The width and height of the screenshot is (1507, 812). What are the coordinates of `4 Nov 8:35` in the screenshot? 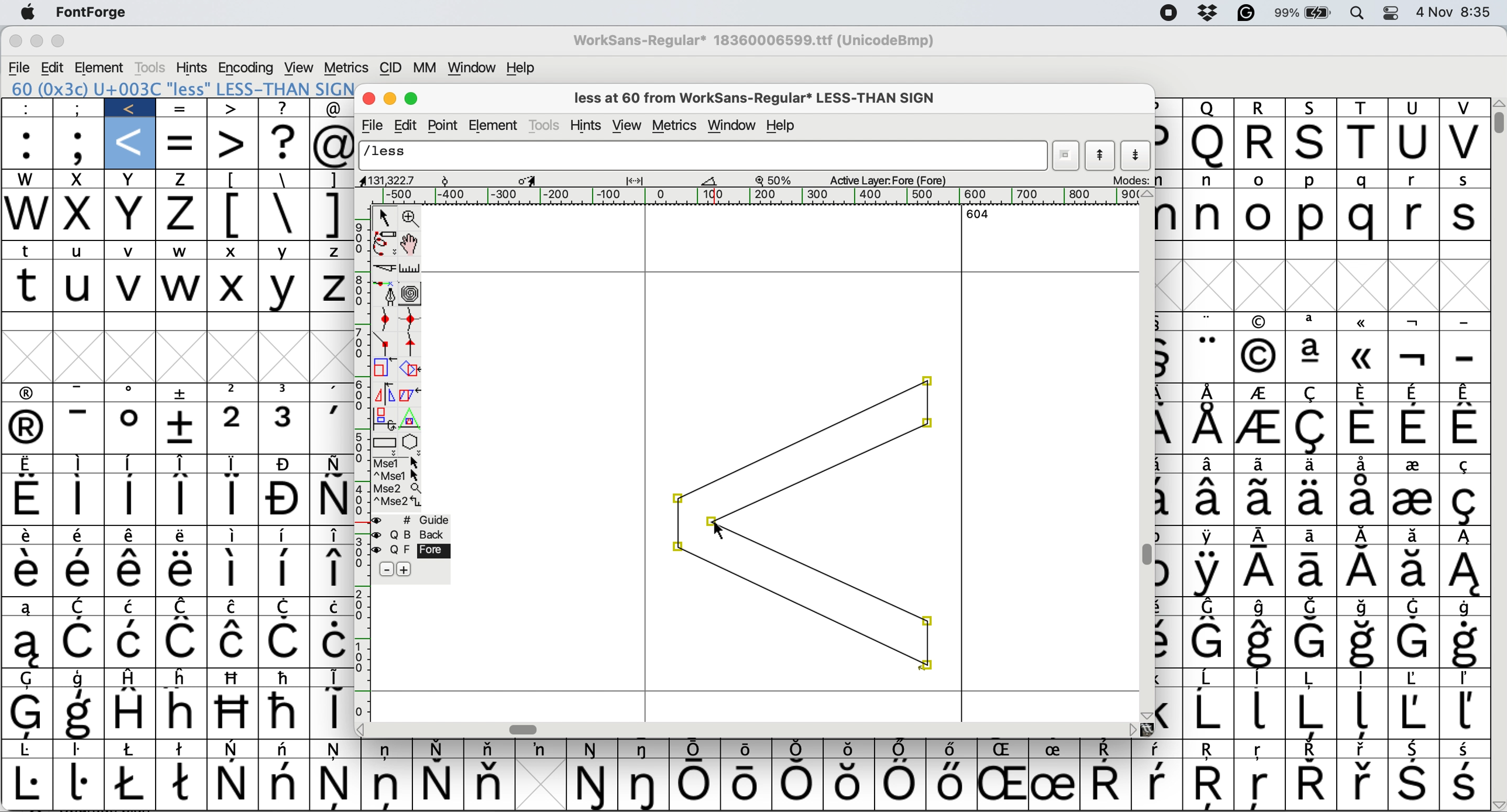 It's located at (1457, 13).